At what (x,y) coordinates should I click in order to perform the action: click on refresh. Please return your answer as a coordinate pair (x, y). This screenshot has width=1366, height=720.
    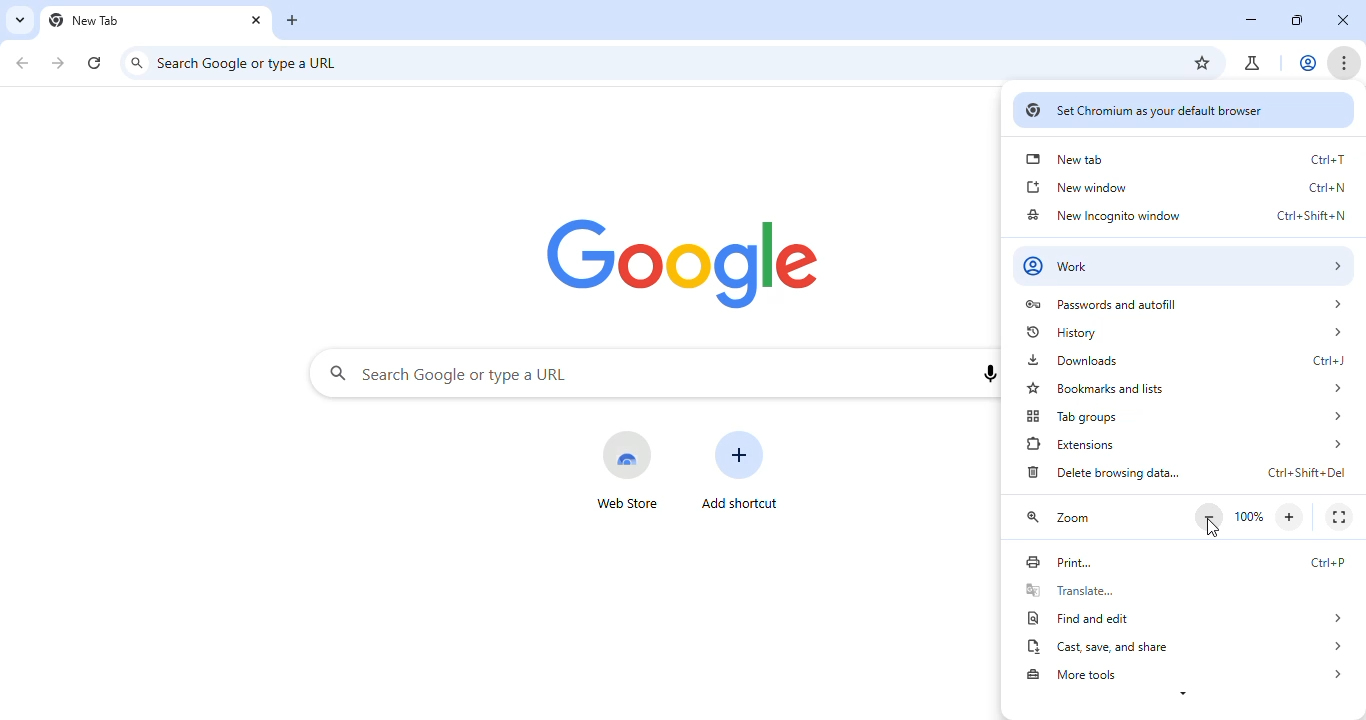
    Looking at the image, I should click on (96, 60).